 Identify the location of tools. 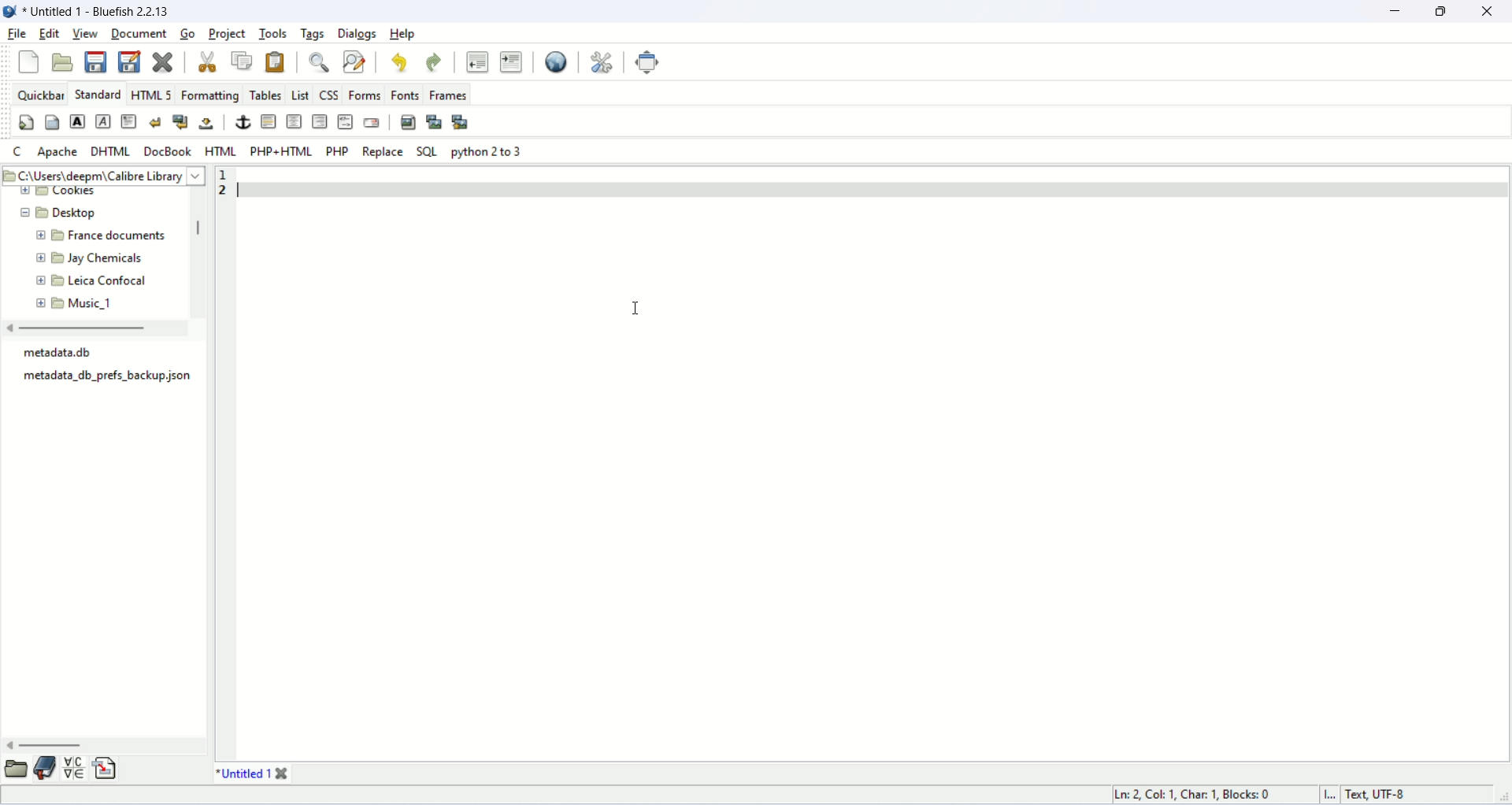
(275, 34).